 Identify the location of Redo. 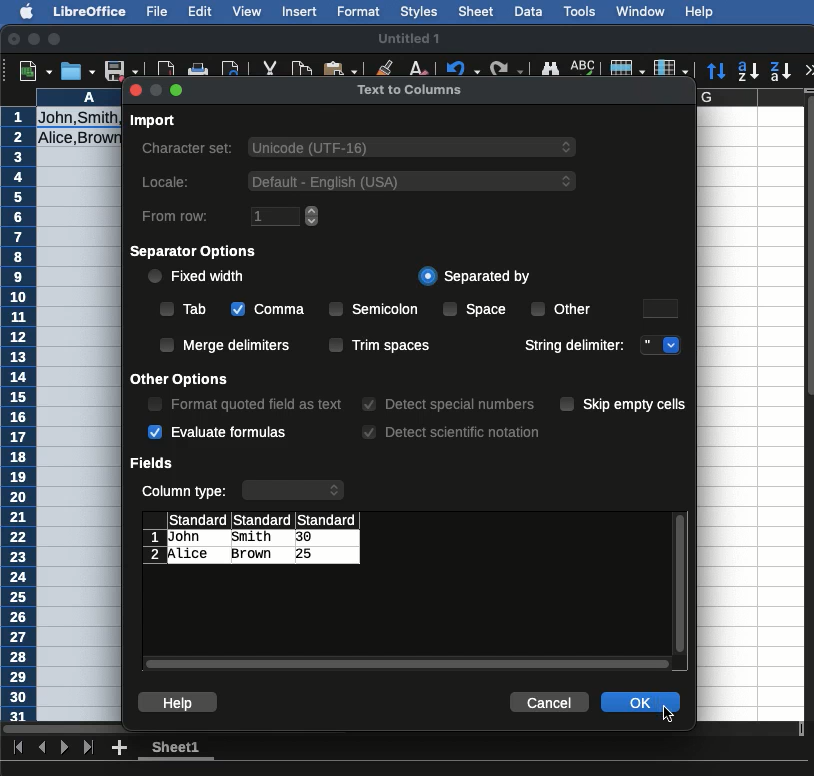
(510, 68).